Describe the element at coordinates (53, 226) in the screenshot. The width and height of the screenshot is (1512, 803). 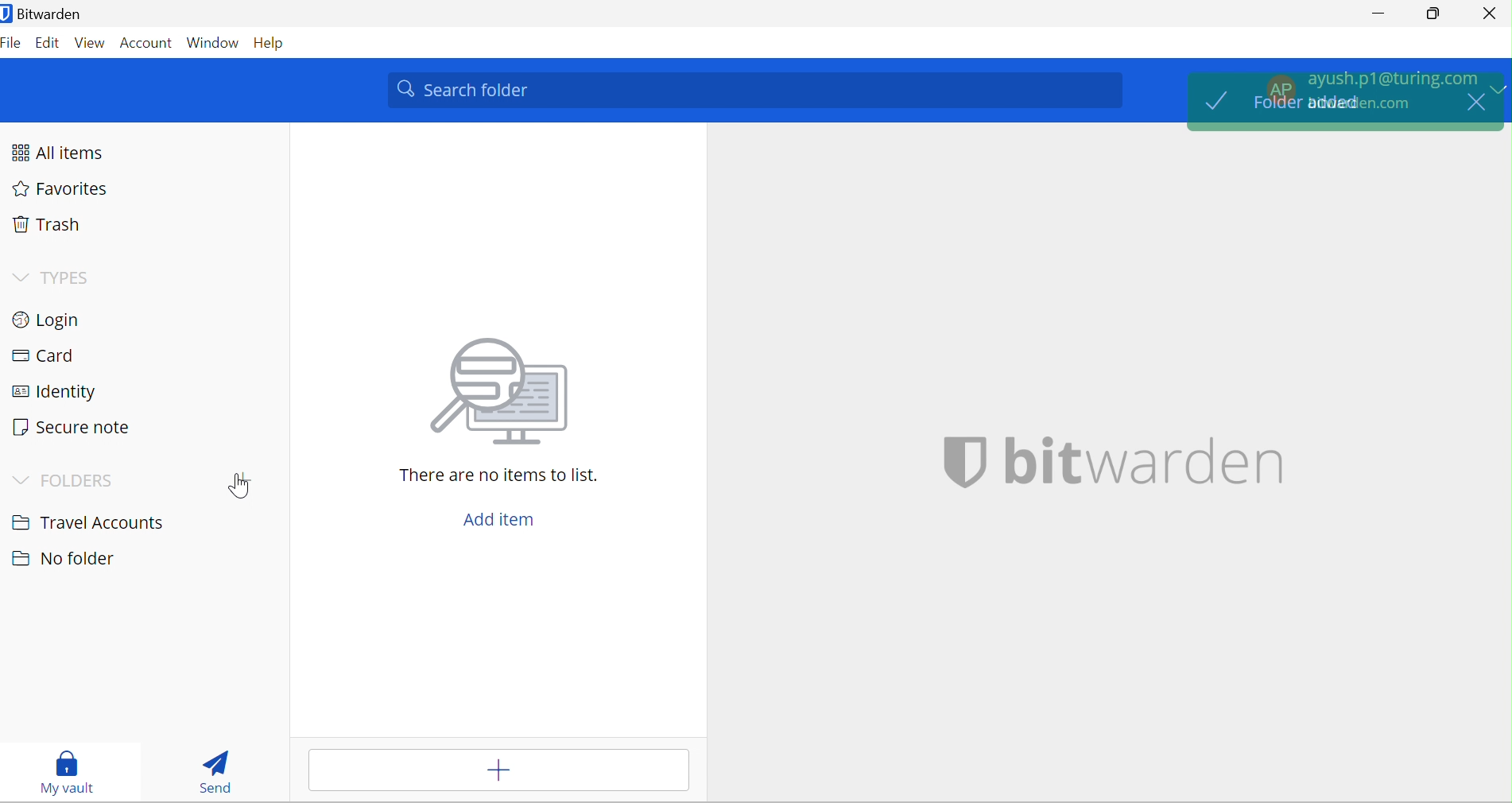
I see `Trash` at that location.